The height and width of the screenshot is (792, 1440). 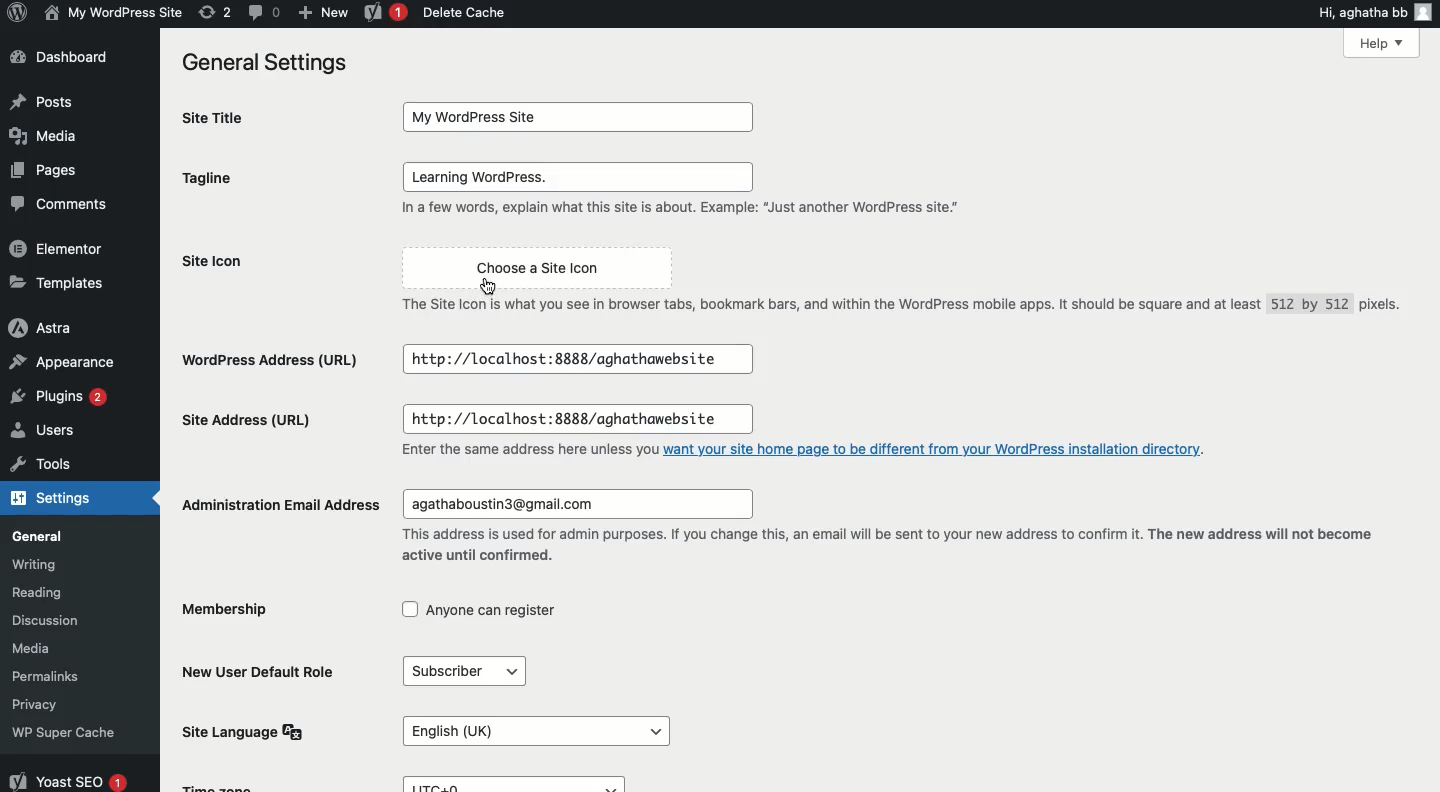 What do you see at coordinates (453, 670) in the screenshot?
I see `Subscriber ` at bounding box center [453, 670].